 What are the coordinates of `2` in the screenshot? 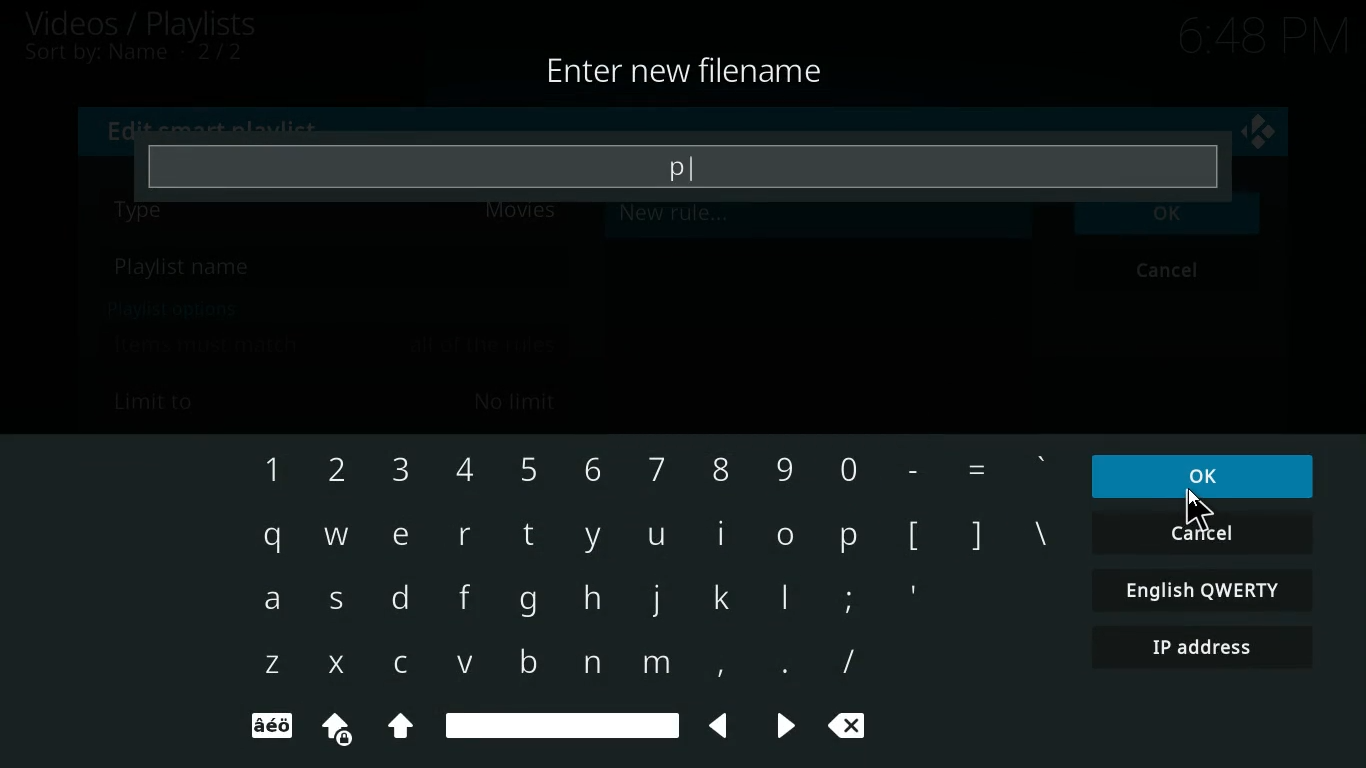 It's located at (329, 471).